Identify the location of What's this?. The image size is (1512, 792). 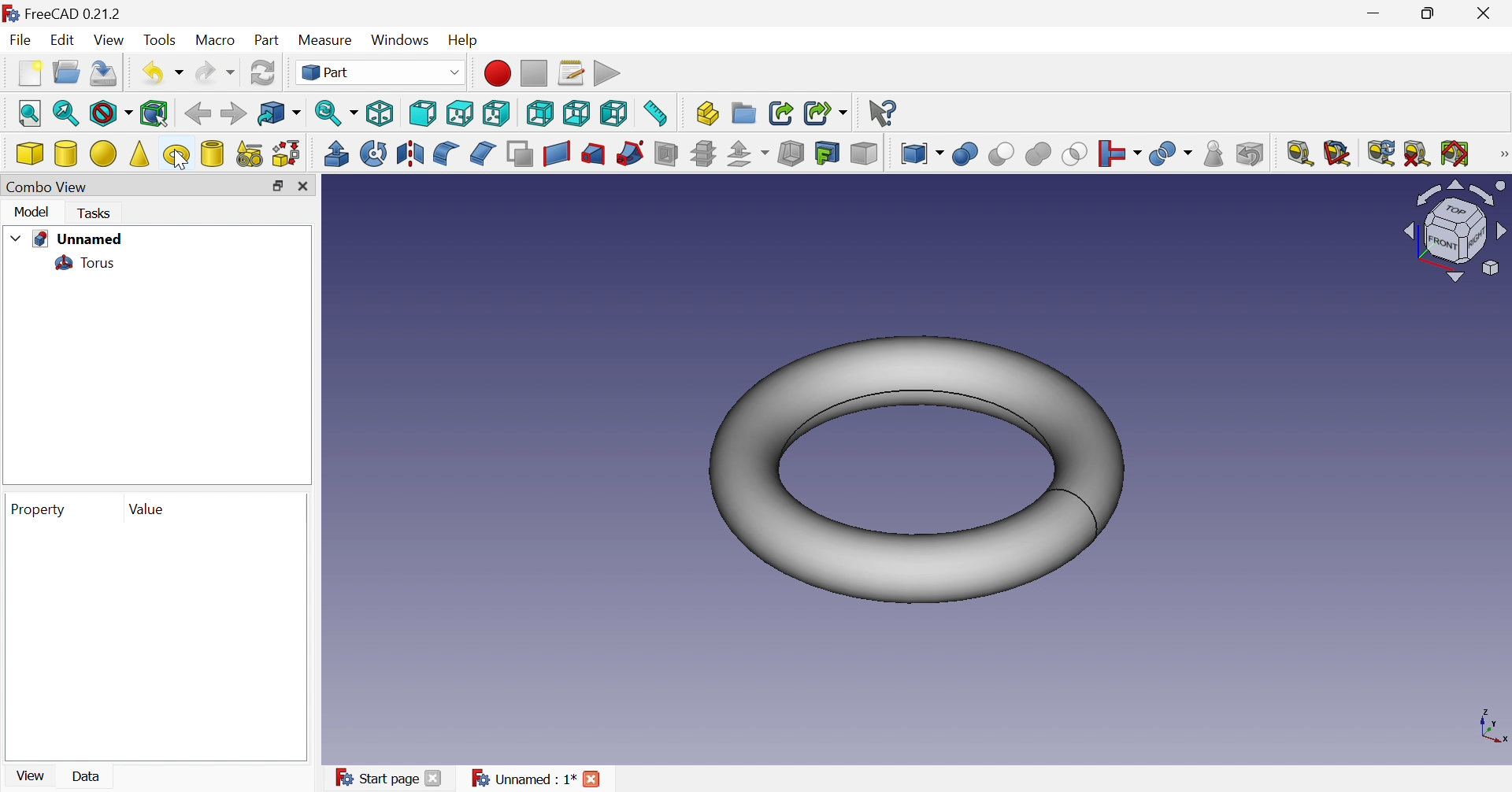
(884, 112).